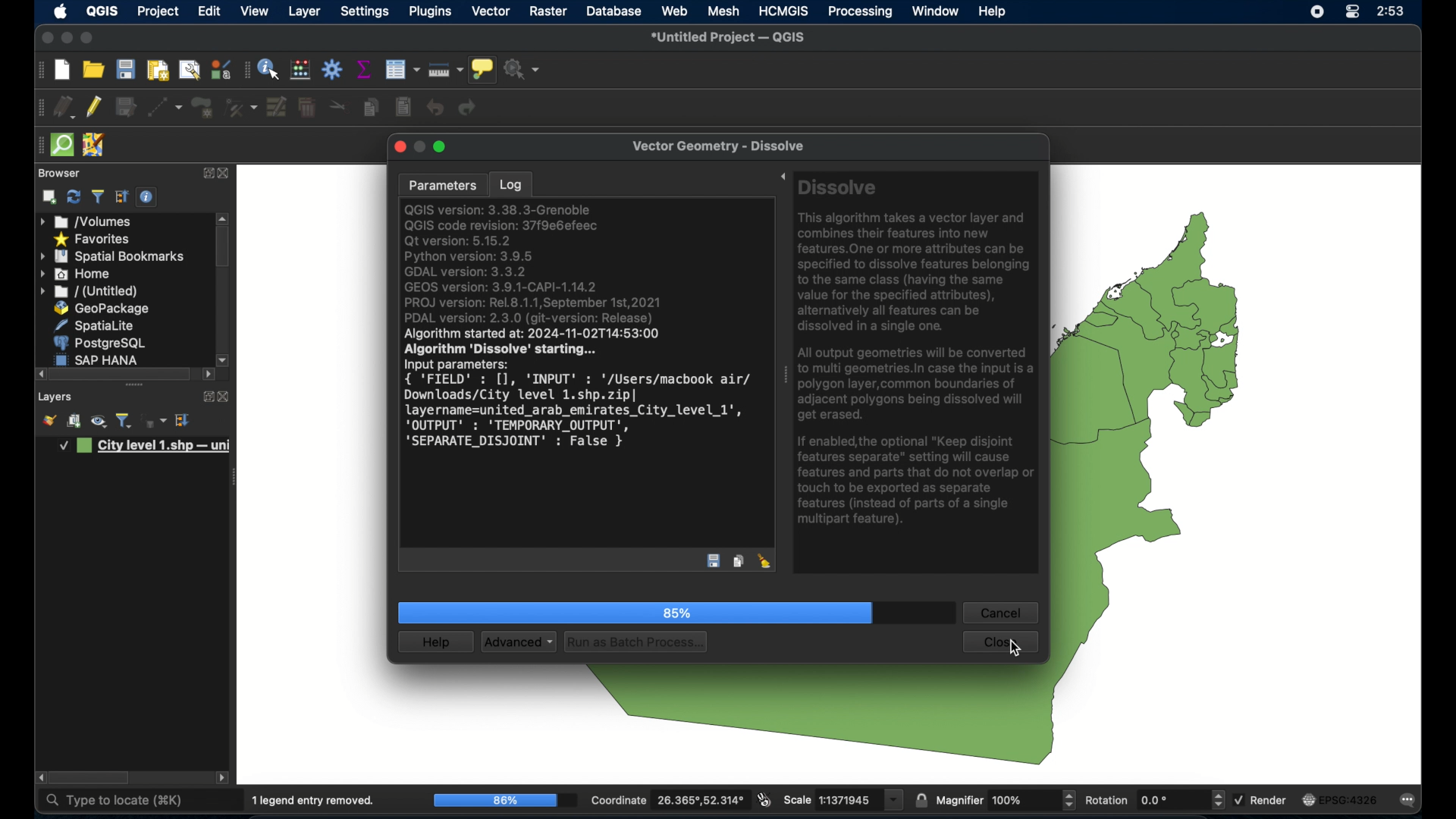  Describe the element at coordinates (123, 374) in the screenshot. I see `scroll box` at that location.